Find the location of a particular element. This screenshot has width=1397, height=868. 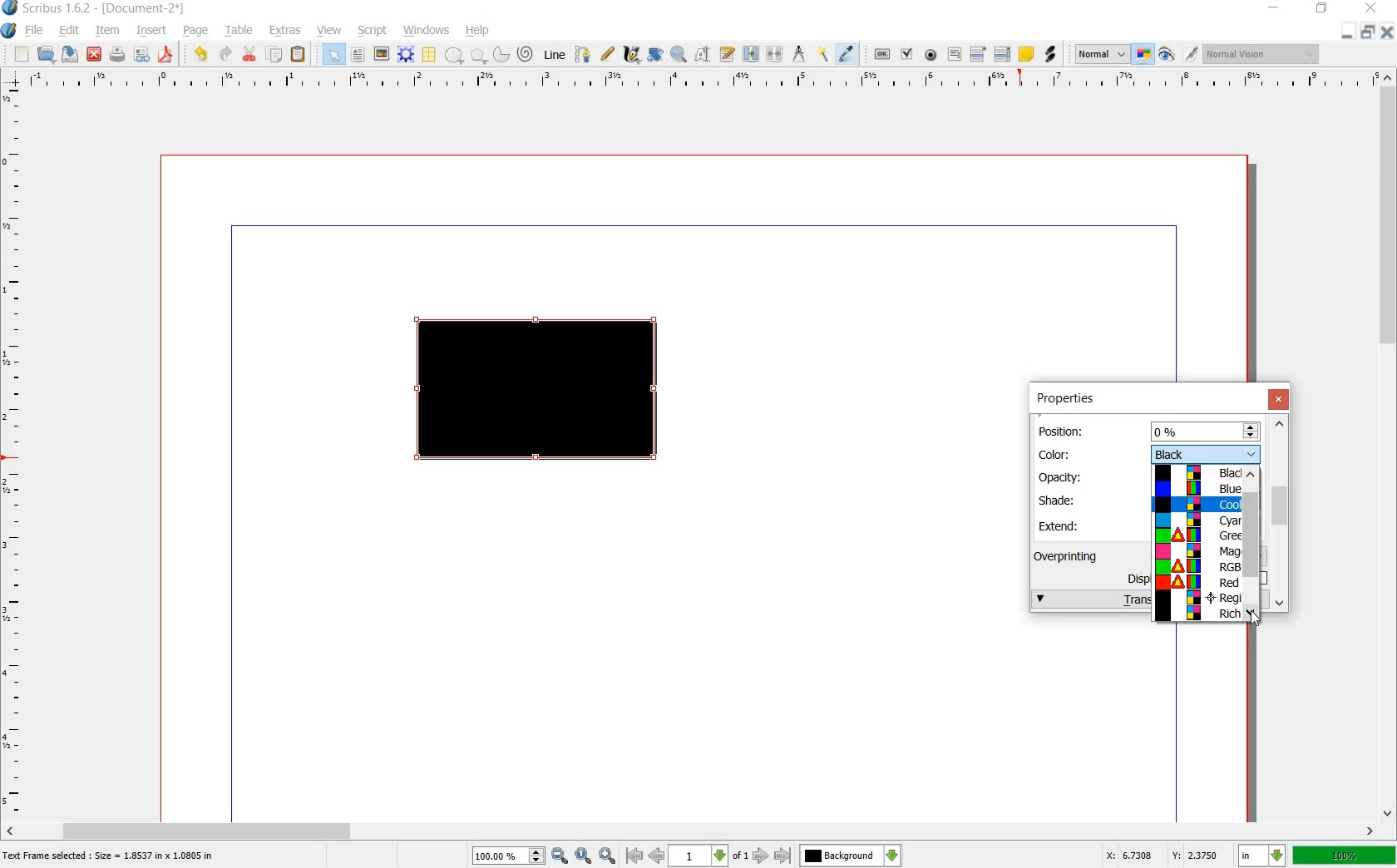

go to previous or first page is located at coordinates (644, 856).